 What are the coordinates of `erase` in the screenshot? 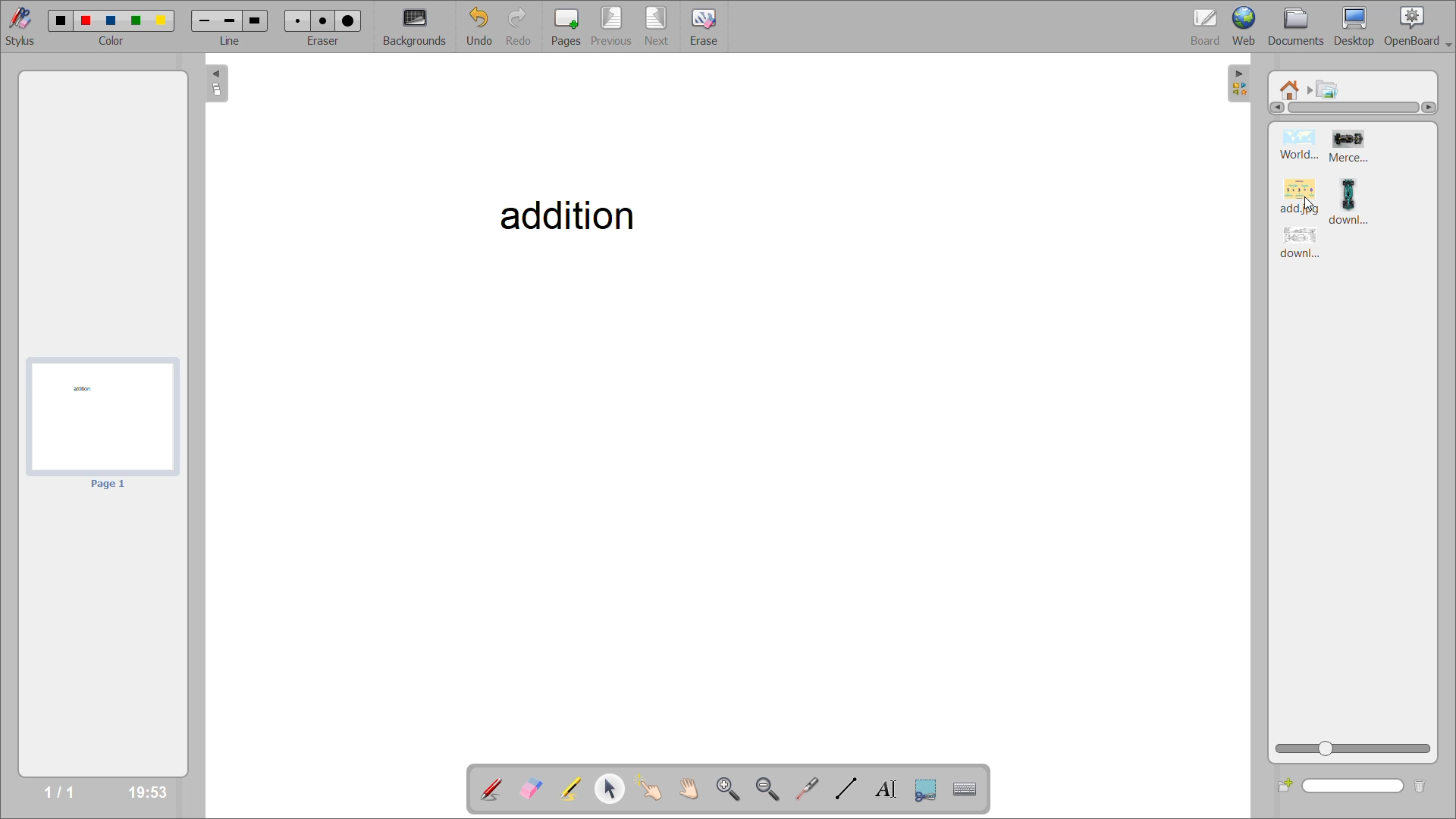 It's located at (704, 28).